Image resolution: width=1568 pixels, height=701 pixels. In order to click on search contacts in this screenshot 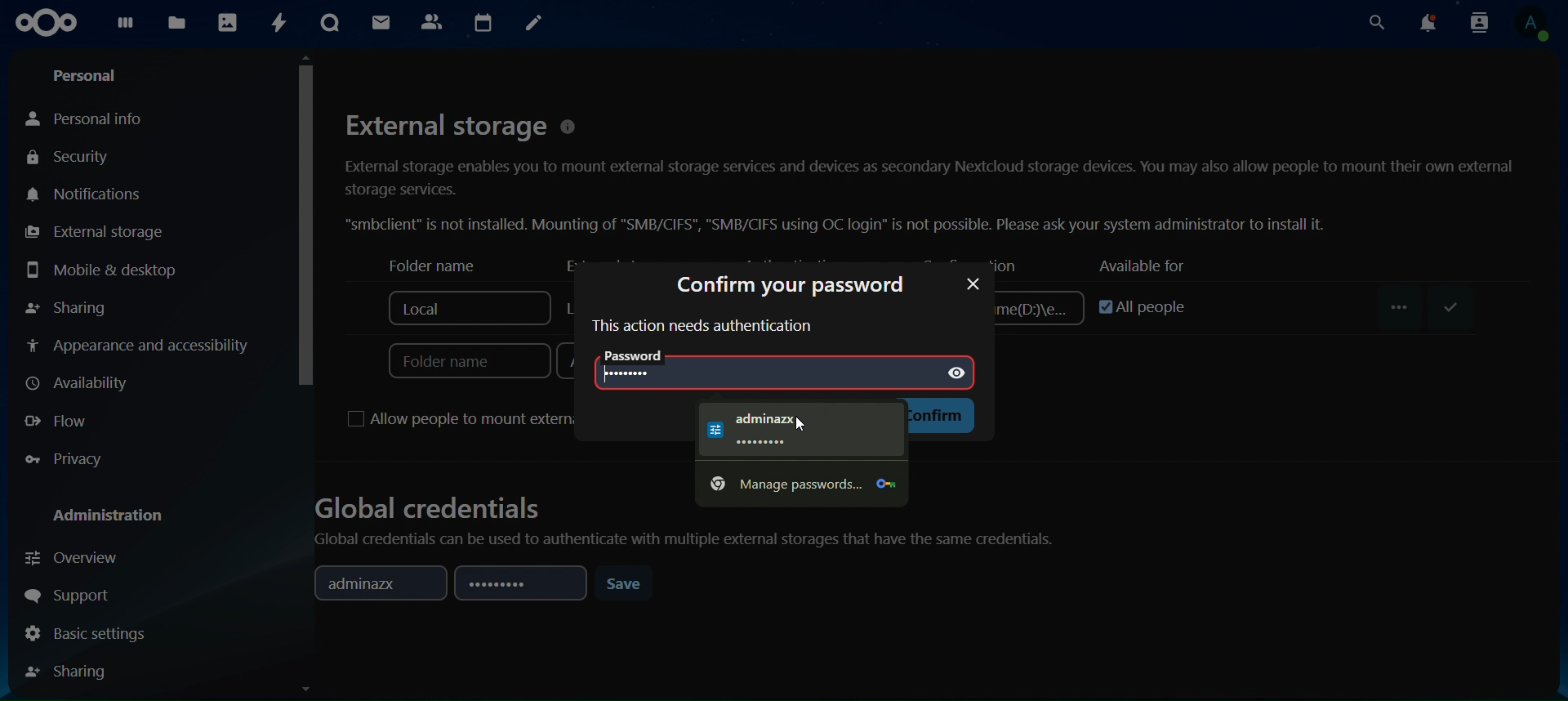, I will do `click(1479, 23)`.